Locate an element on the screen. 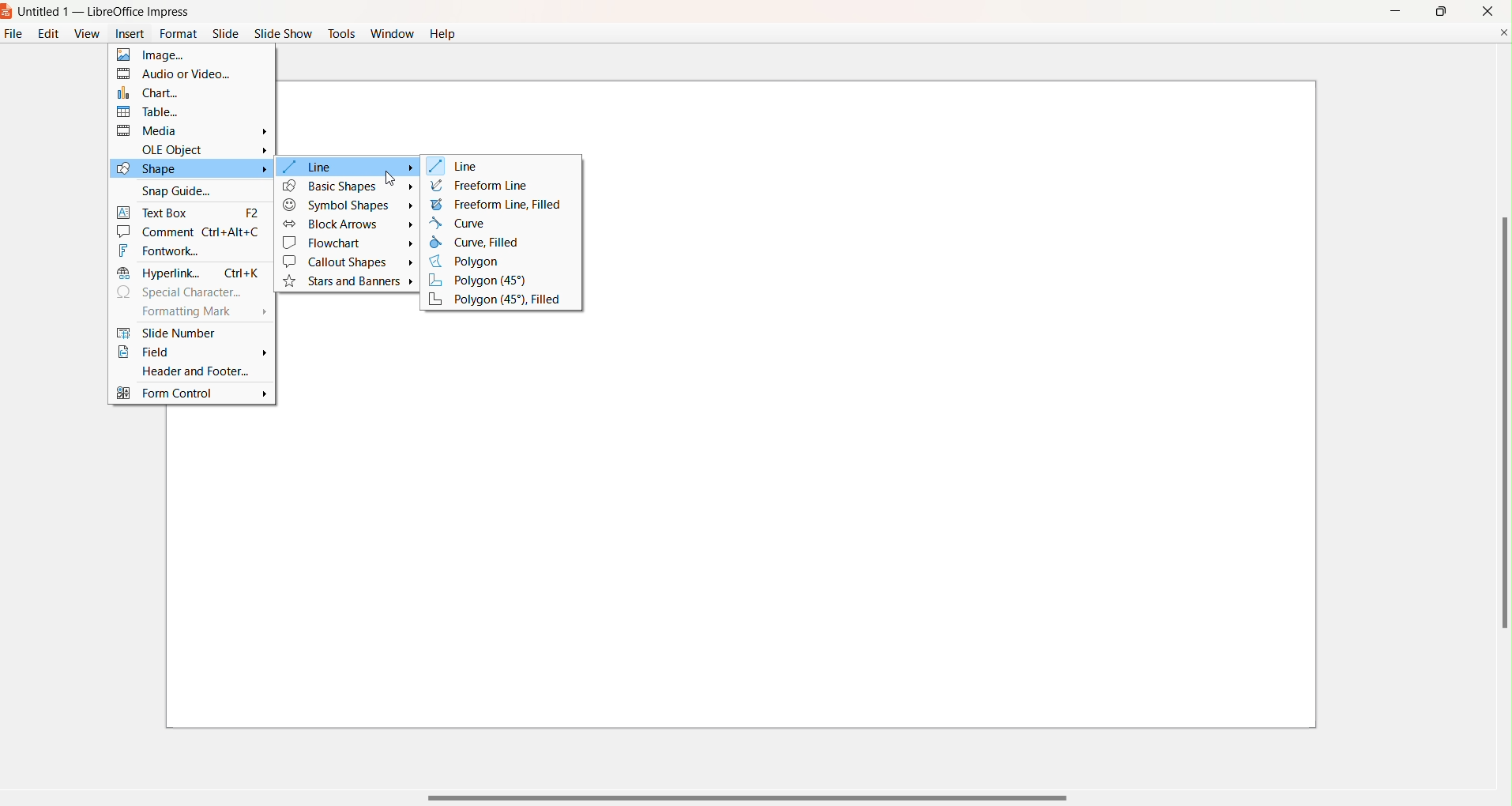 The height and width of the screenshot is (806, 1512). Logo is located at coordinates (8, 13).